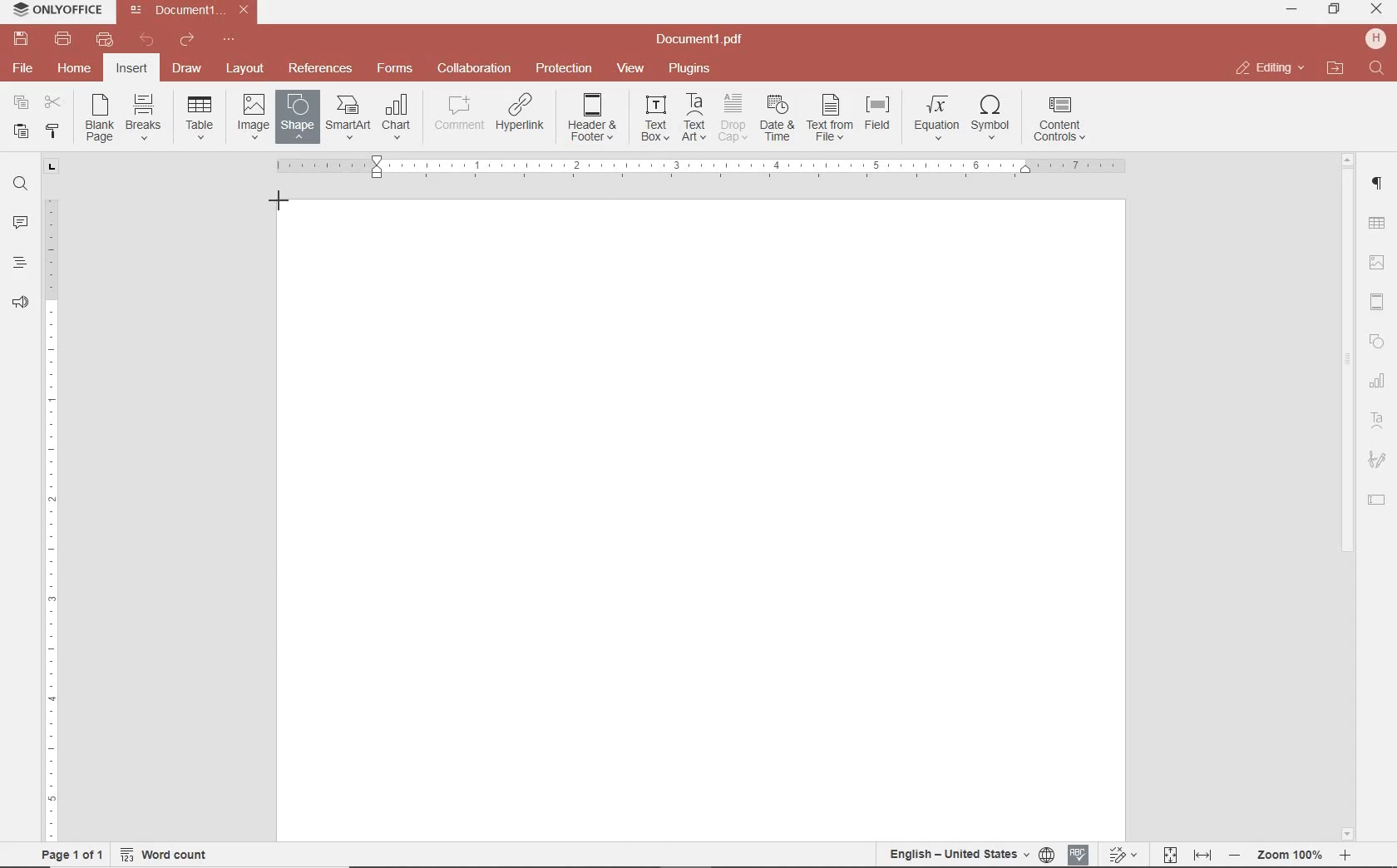 Image resolution: width=1397 pixels, height=868 pixels. I want to click on copy, so click(21, 104).